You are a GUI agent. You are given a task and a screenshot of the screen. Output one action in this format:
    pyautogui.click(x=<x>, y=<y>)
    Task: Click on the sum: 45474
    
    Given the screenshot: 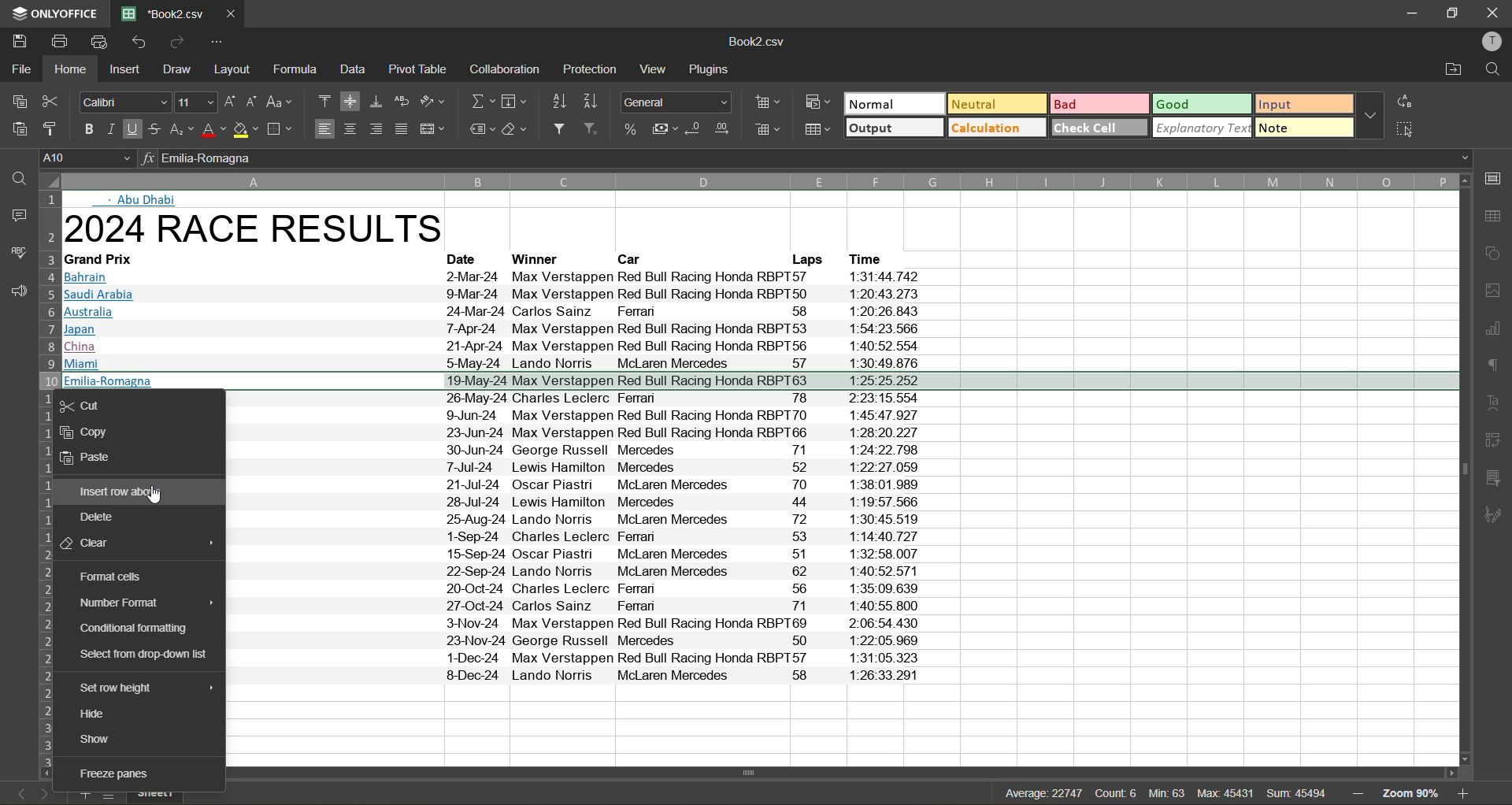 What is the action you would take?
    pyautogui.click(x=1299, y=794)
    